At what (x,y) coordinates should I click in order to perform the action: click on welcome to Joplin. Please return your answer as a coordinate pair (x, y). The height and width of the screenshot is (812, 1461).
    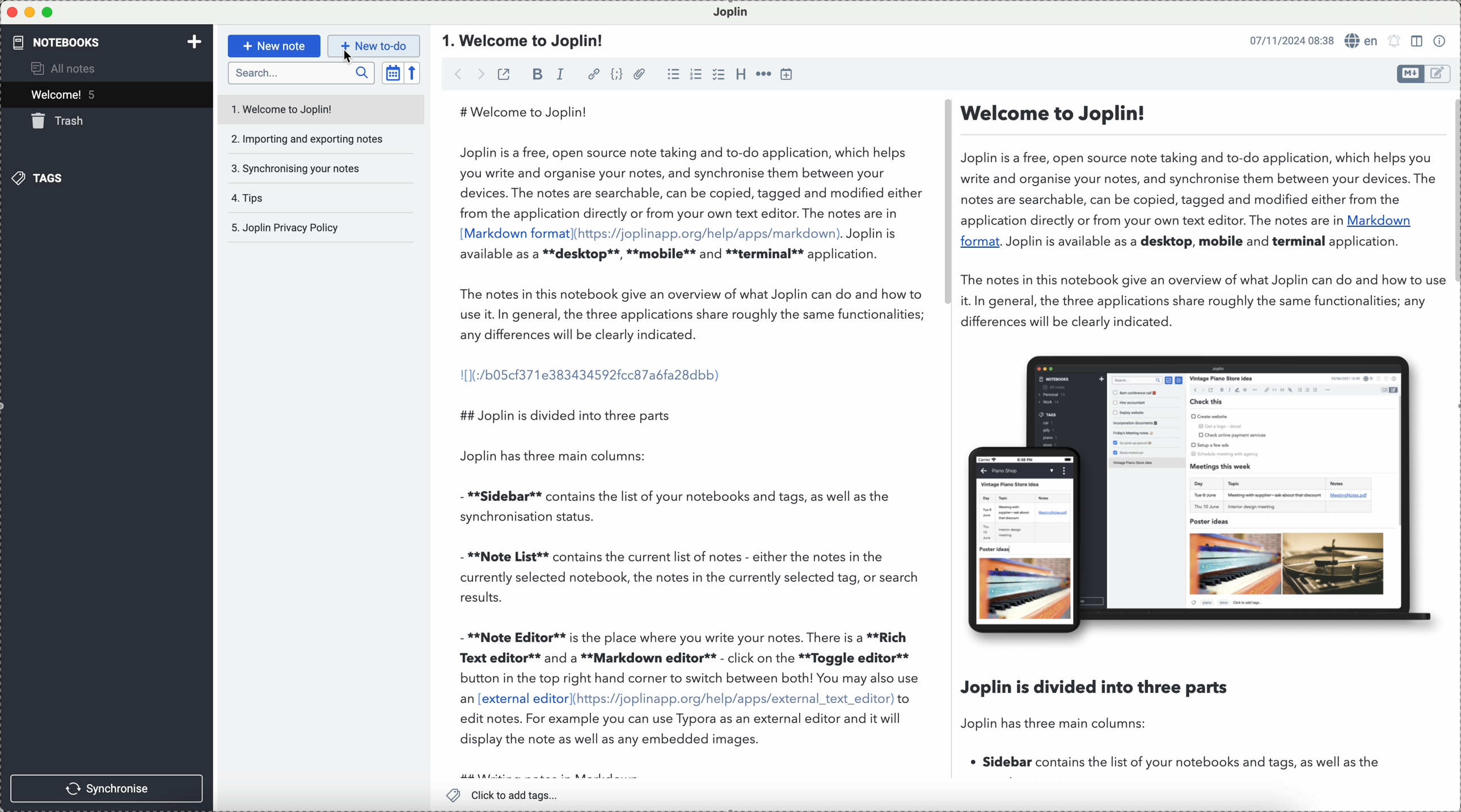
    Looking at the image, I should click on (321, 109).